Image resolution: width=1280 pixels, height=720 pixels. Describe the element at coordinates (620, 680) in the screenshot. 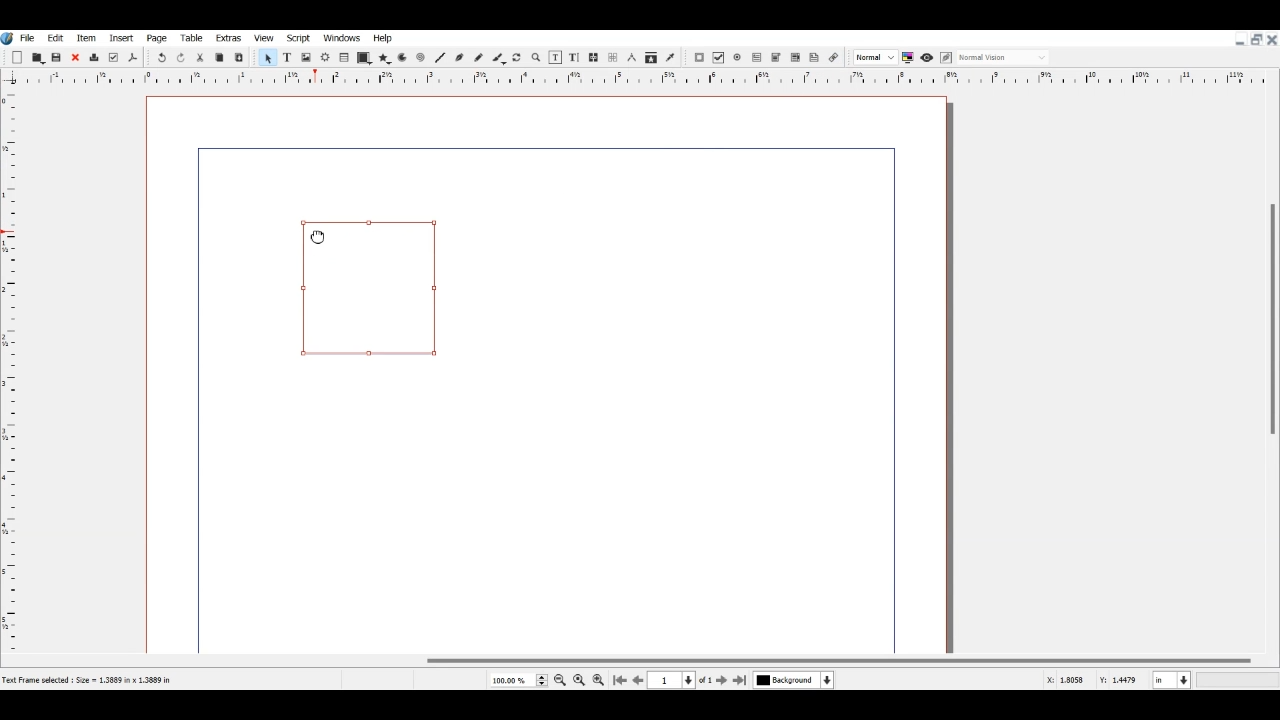

I see `Go to First Page` at that location.